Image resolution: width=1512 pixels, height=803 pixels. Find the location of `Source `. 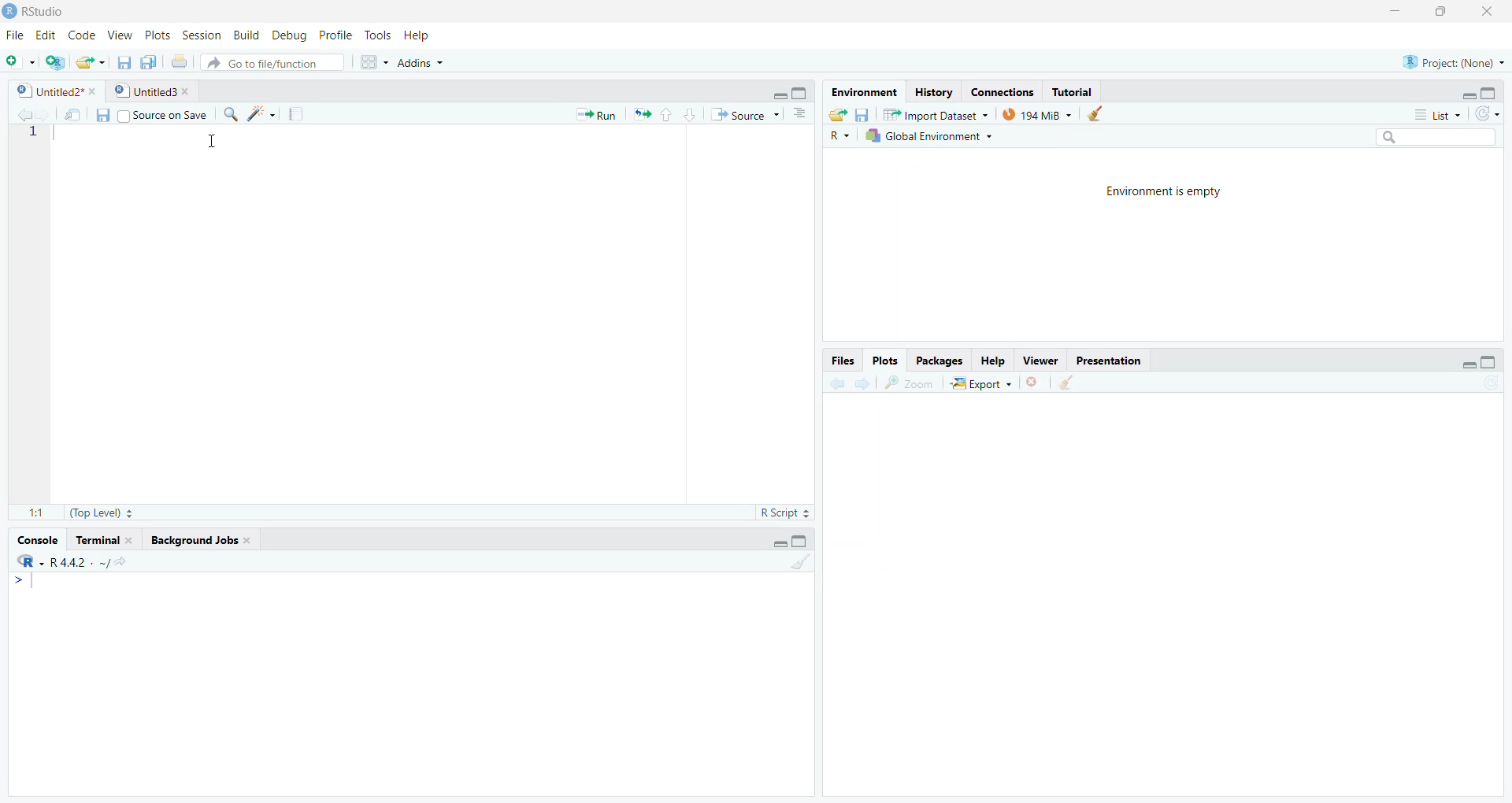

Source  is located at coordinates (746, 115).